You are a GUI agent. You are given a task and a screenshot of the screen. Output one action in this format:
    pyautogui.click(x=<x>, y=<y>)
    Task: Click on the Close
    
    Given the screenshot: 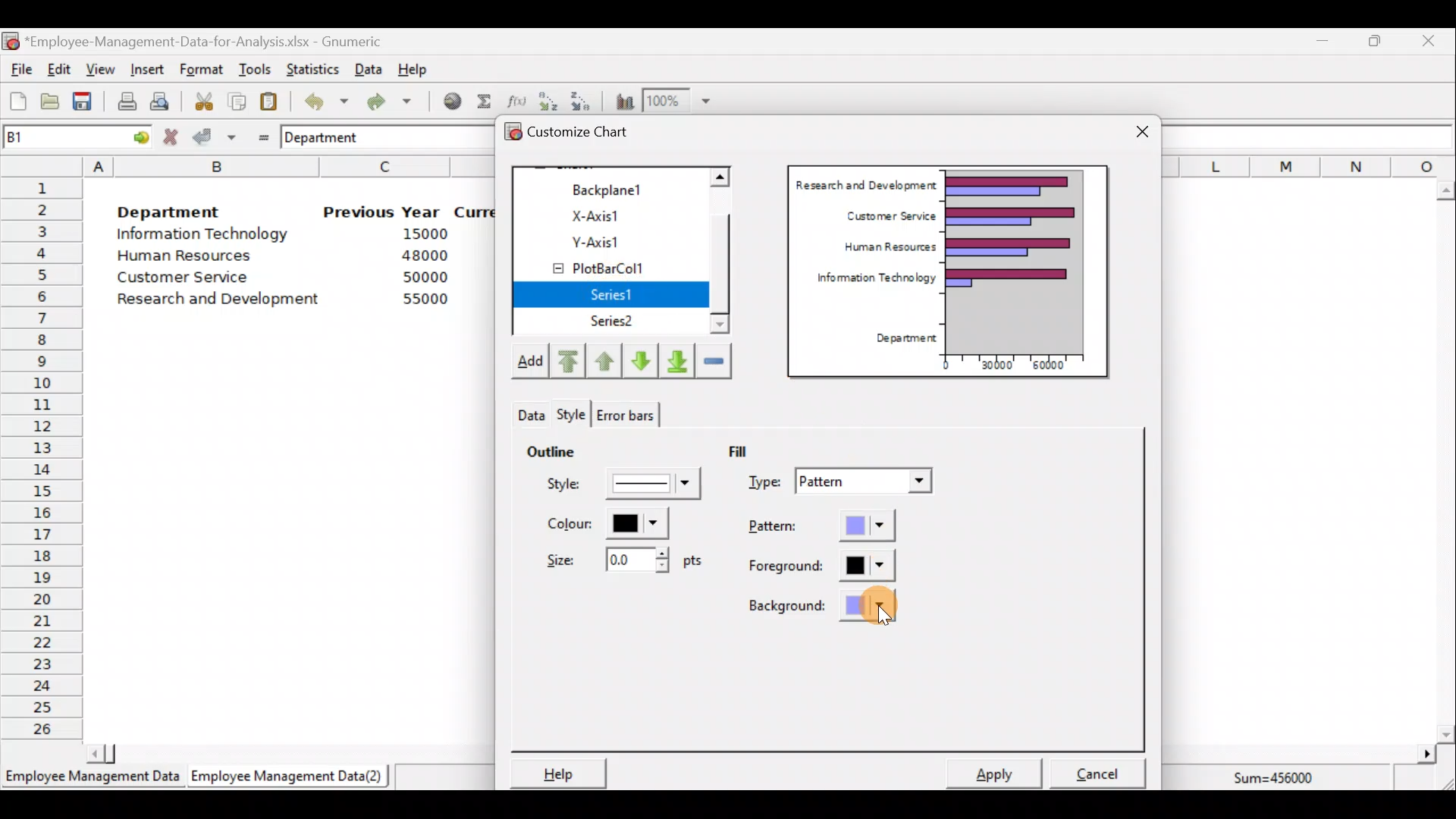 What is the action you would take?
    pyautogui.click(x=1142, y=133)
    